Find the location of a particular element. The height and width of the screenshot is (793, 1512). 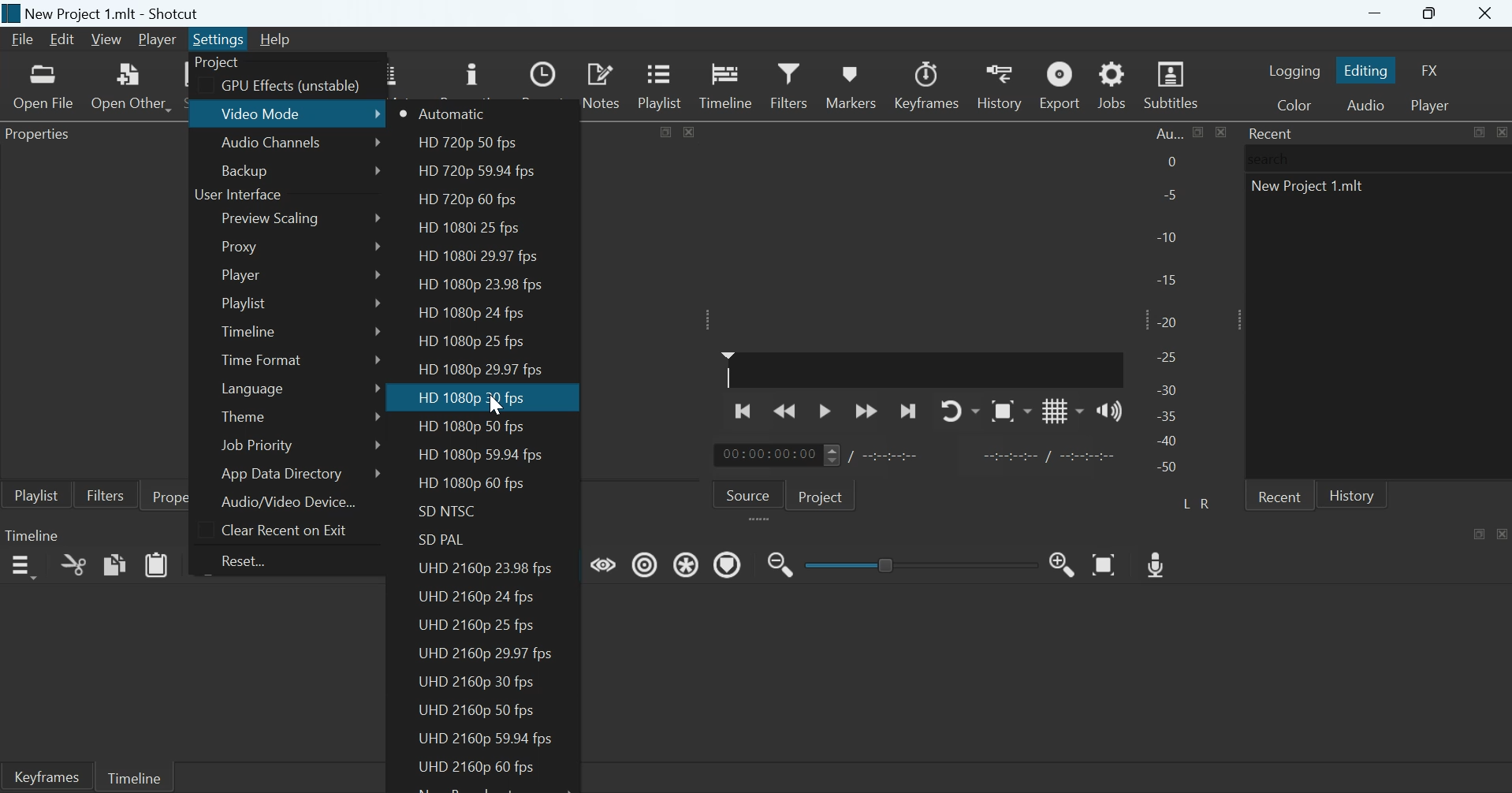

Close is located at coordinates (1503, 533).